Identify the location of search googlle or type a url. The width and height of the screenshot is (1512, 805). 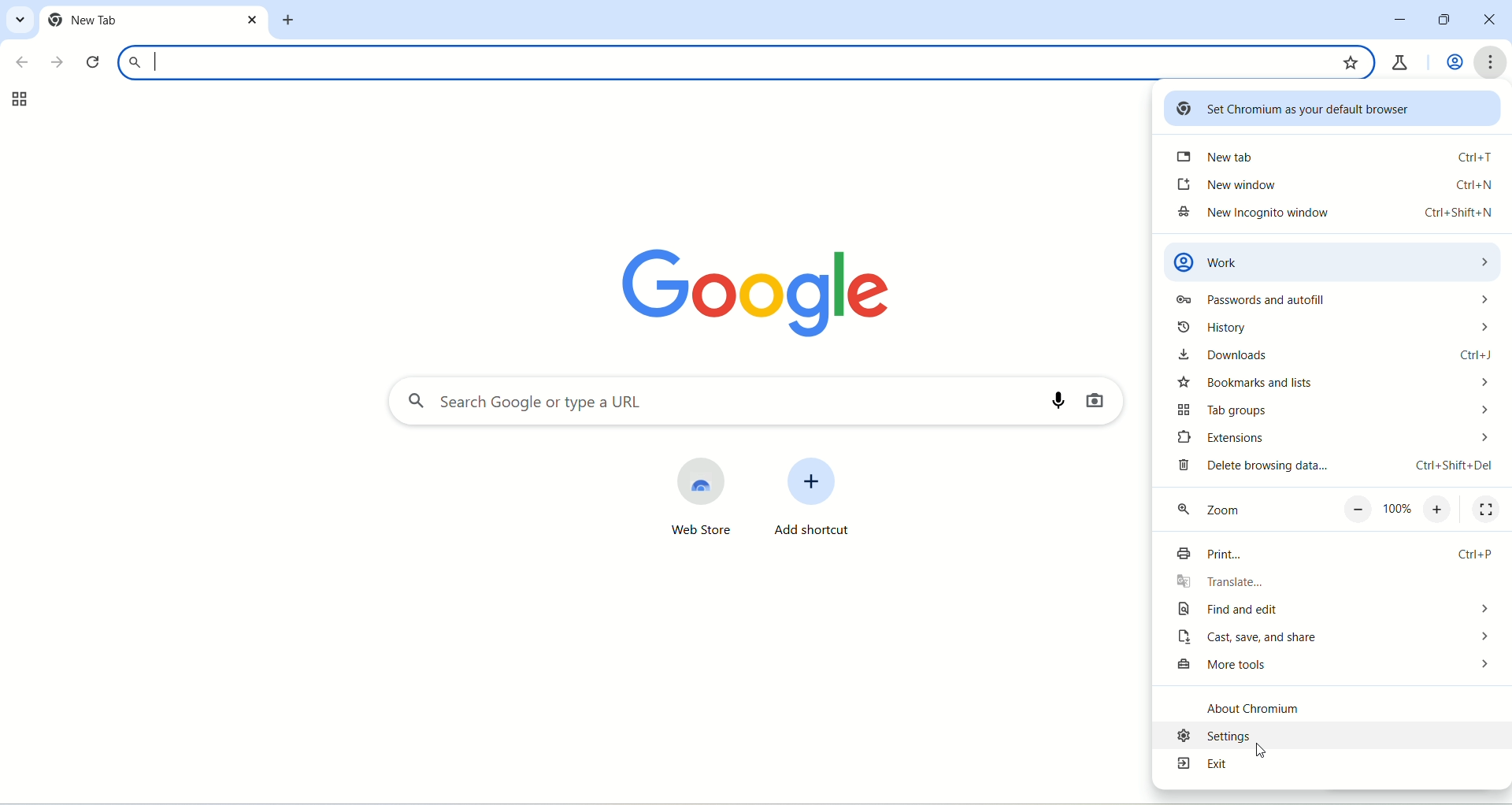
(719, 62).